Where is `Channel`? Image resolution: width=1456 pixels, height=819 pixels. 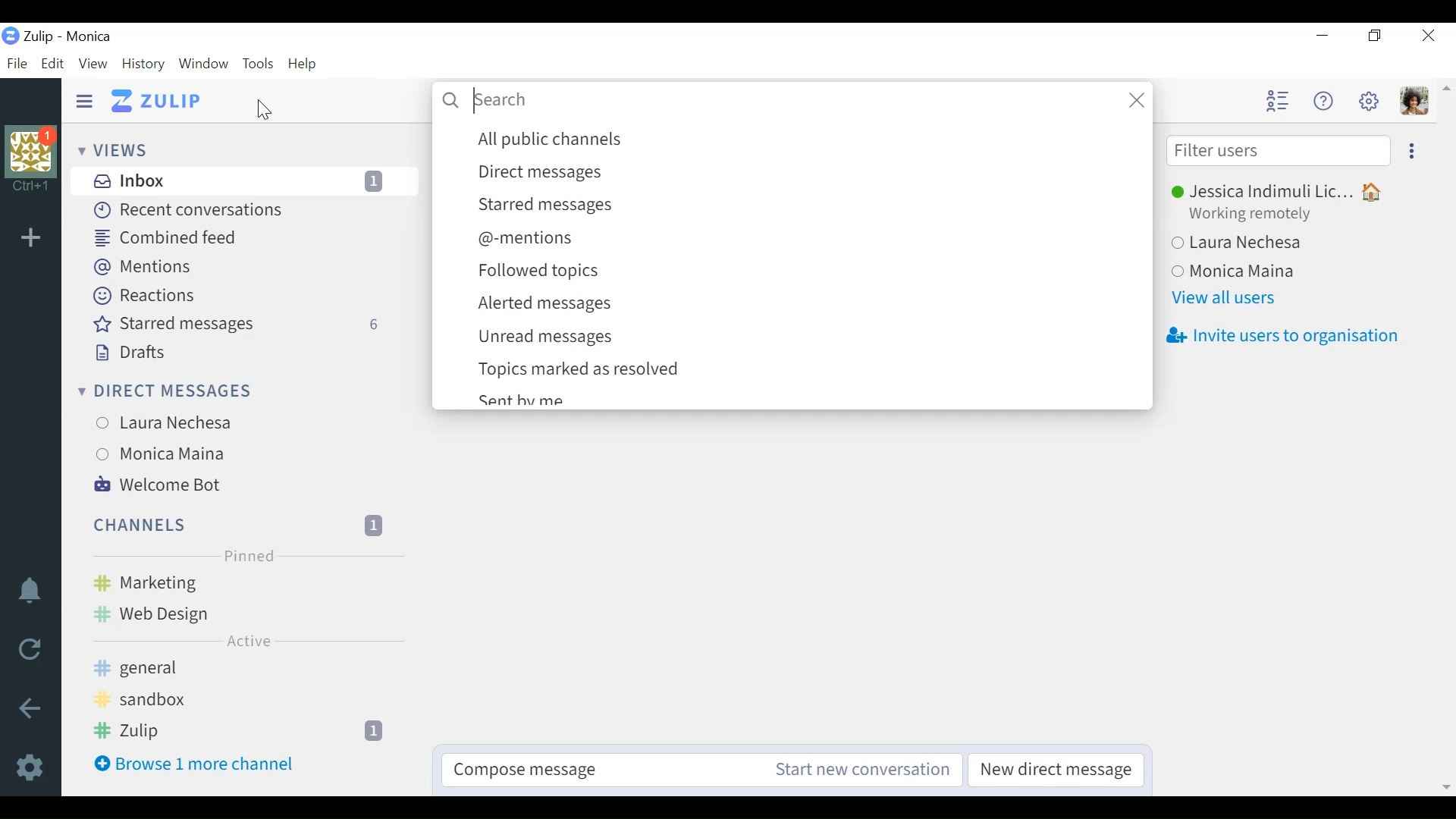 Channel is located at coordinates (244, 584).